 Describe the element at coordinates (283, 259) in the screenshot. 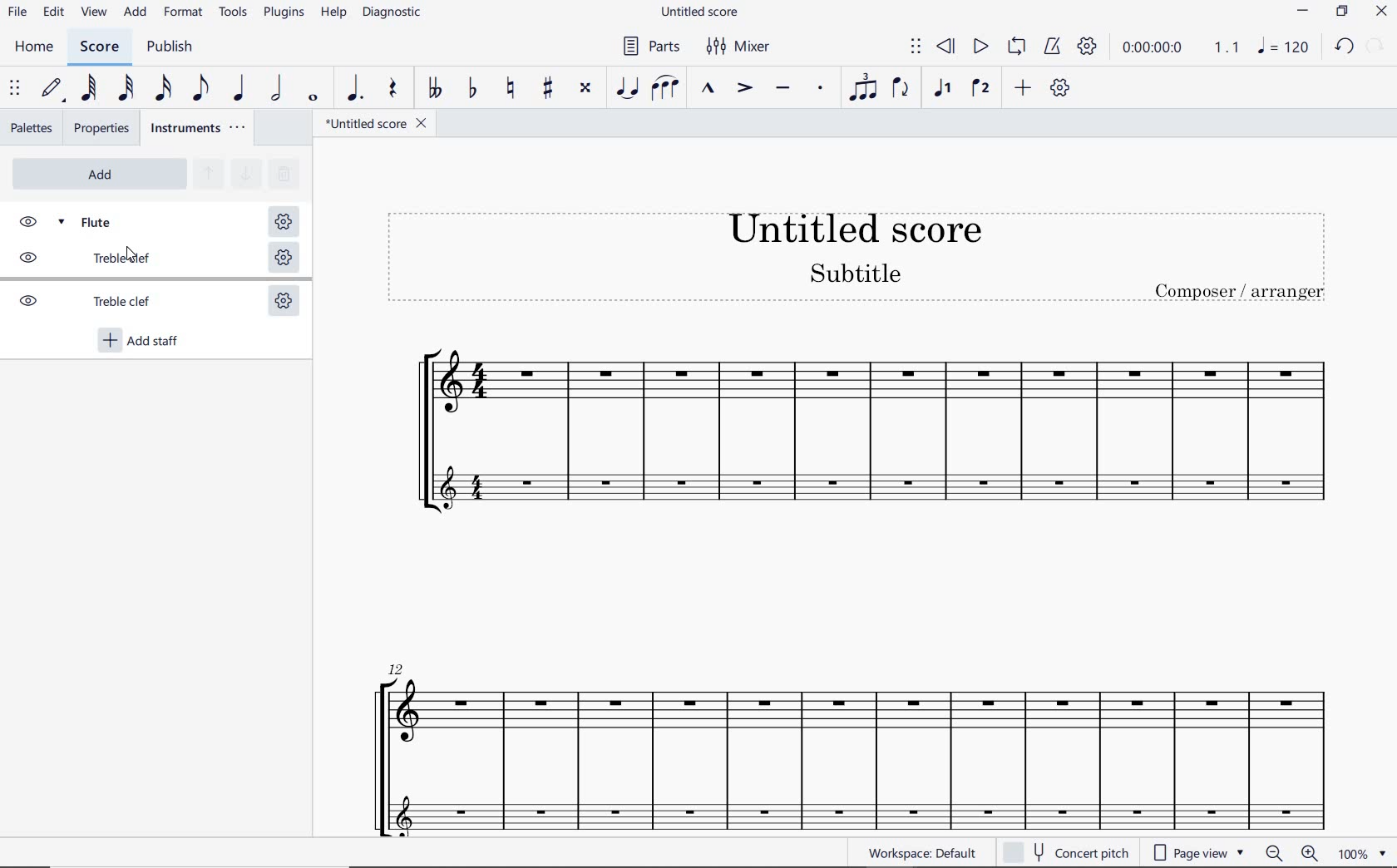

I see `STAFF SETTING` at that location.